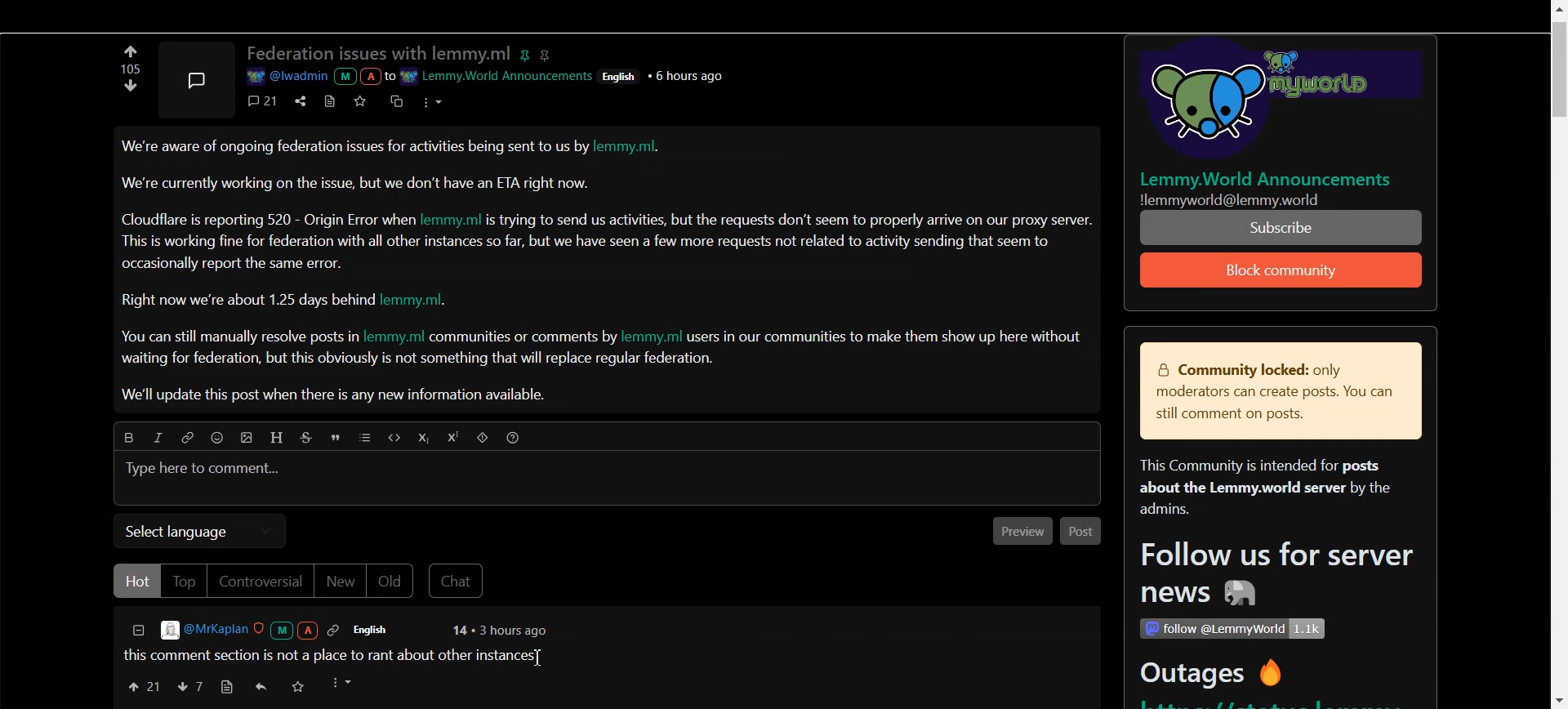 This screenshot has width=1568, height=709. What do you see at coordinates (1272, 577) in the screenshot?
I see `Follow us for server
news #8` at bounding box center [1272, 577].